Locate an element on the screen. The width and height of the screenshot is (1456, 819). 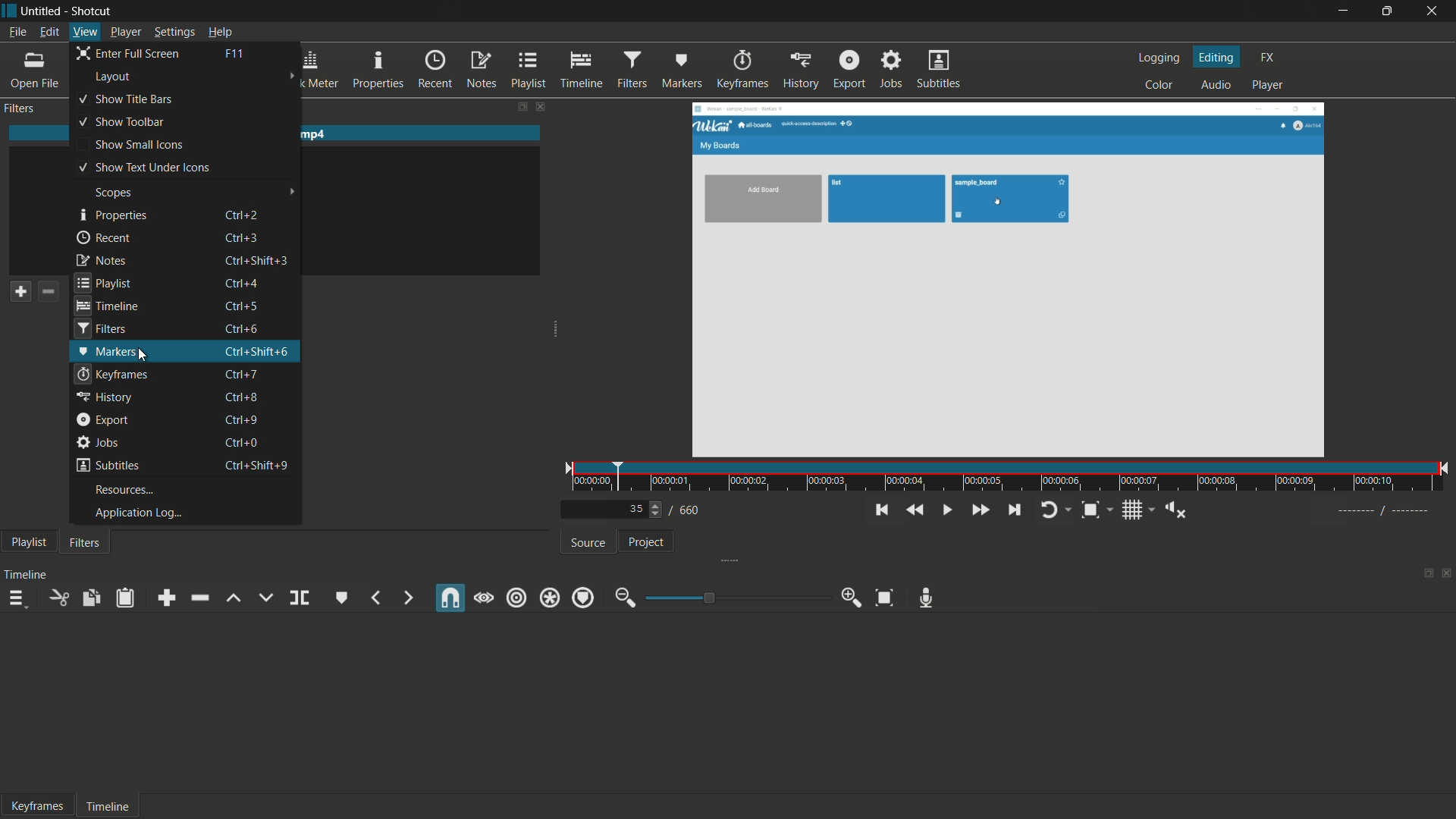
playlist is located at coordinates (29, 543).